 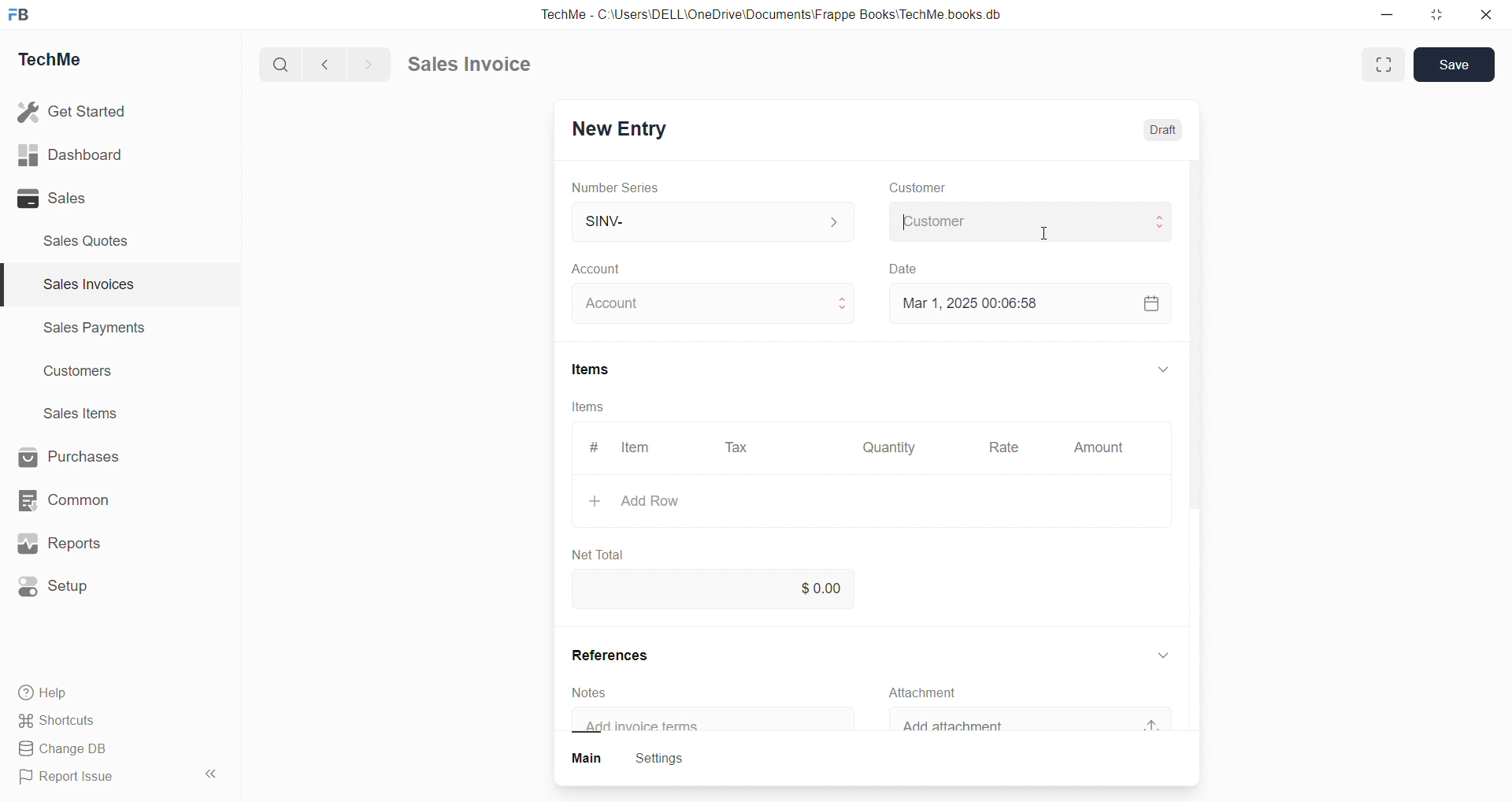 I want to click on + Add Row, so click(x=656, y=501).